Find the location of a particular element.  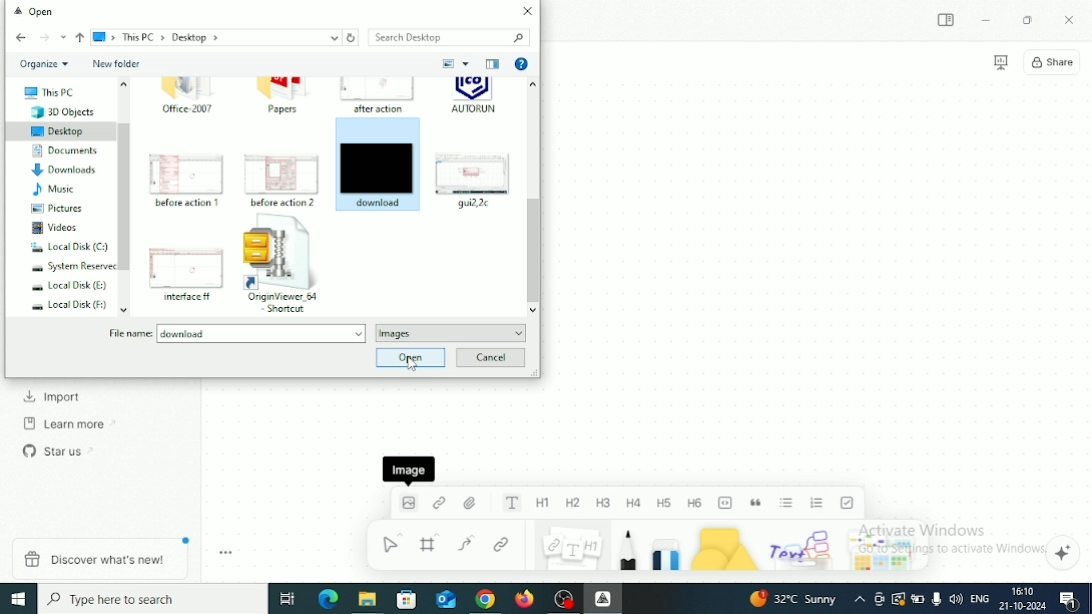

Image is located at coordinates (407, 508).